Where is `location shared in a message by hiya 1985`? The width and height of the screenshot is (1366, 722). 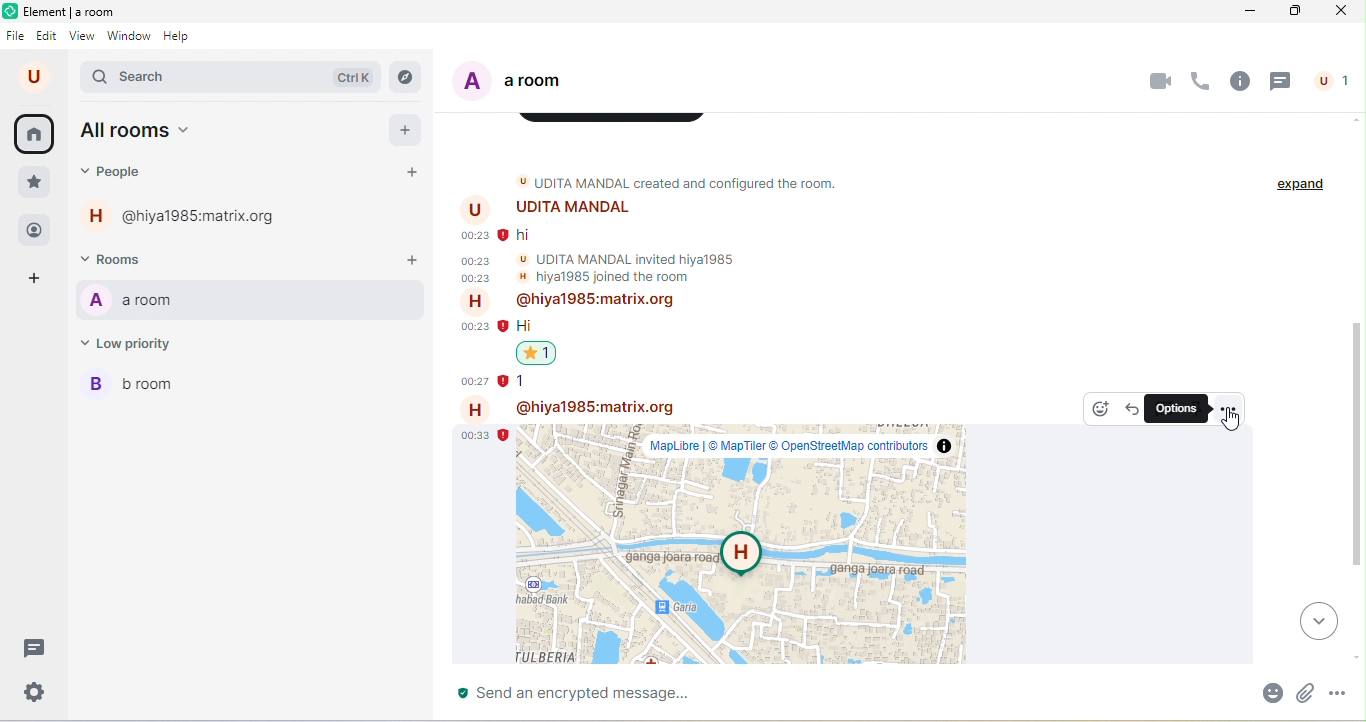 location shared in a message by hiya 1985 is located at coordinates (748, 535).